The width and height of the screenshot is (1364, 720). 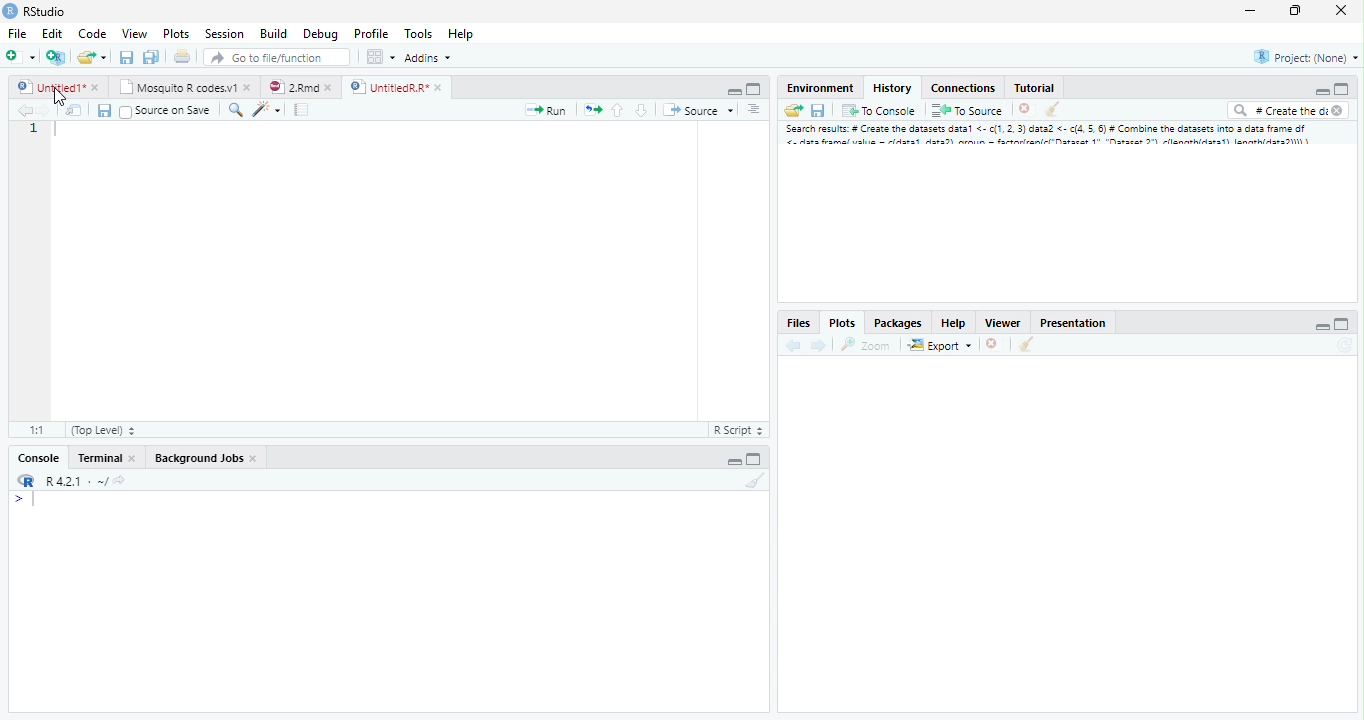 What do you see at coordinates (43, 114) in the screenshot?
I see `Next` at bounding box center [43, 114].